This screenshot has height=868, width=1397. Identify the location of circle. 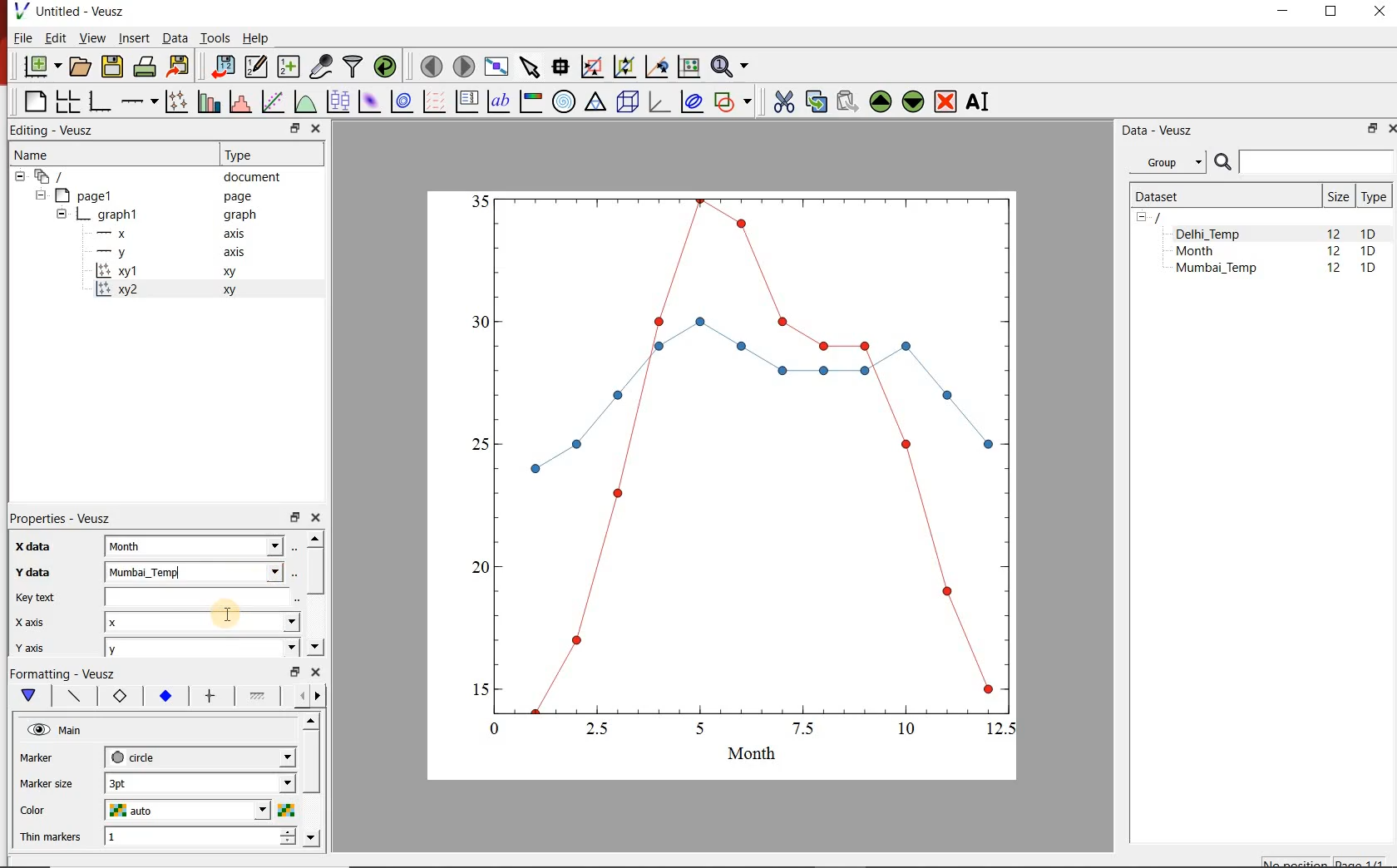
(200, 757).